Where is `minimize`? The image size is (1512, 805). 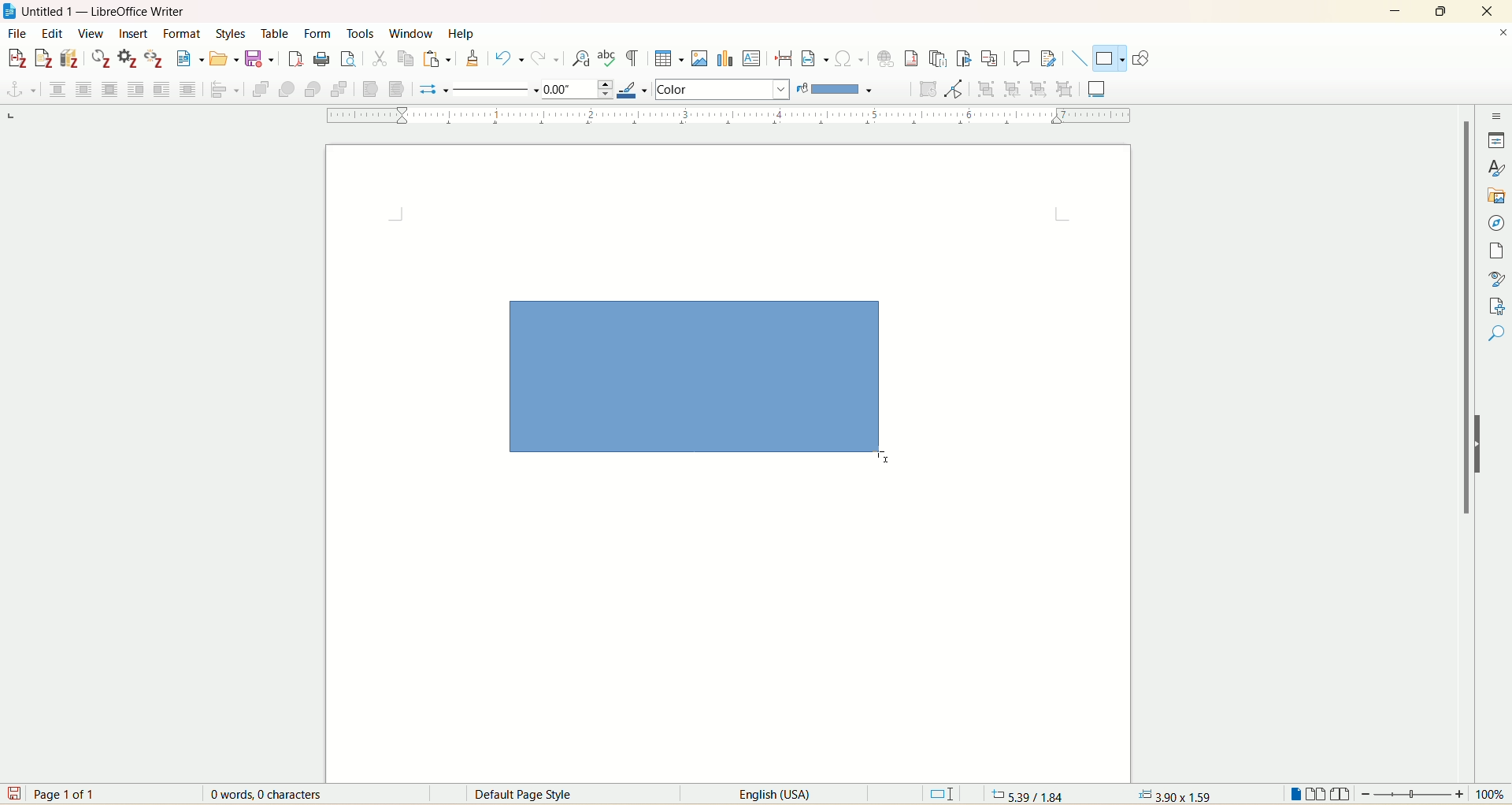 minimize is located at coordinates (1395, 9).